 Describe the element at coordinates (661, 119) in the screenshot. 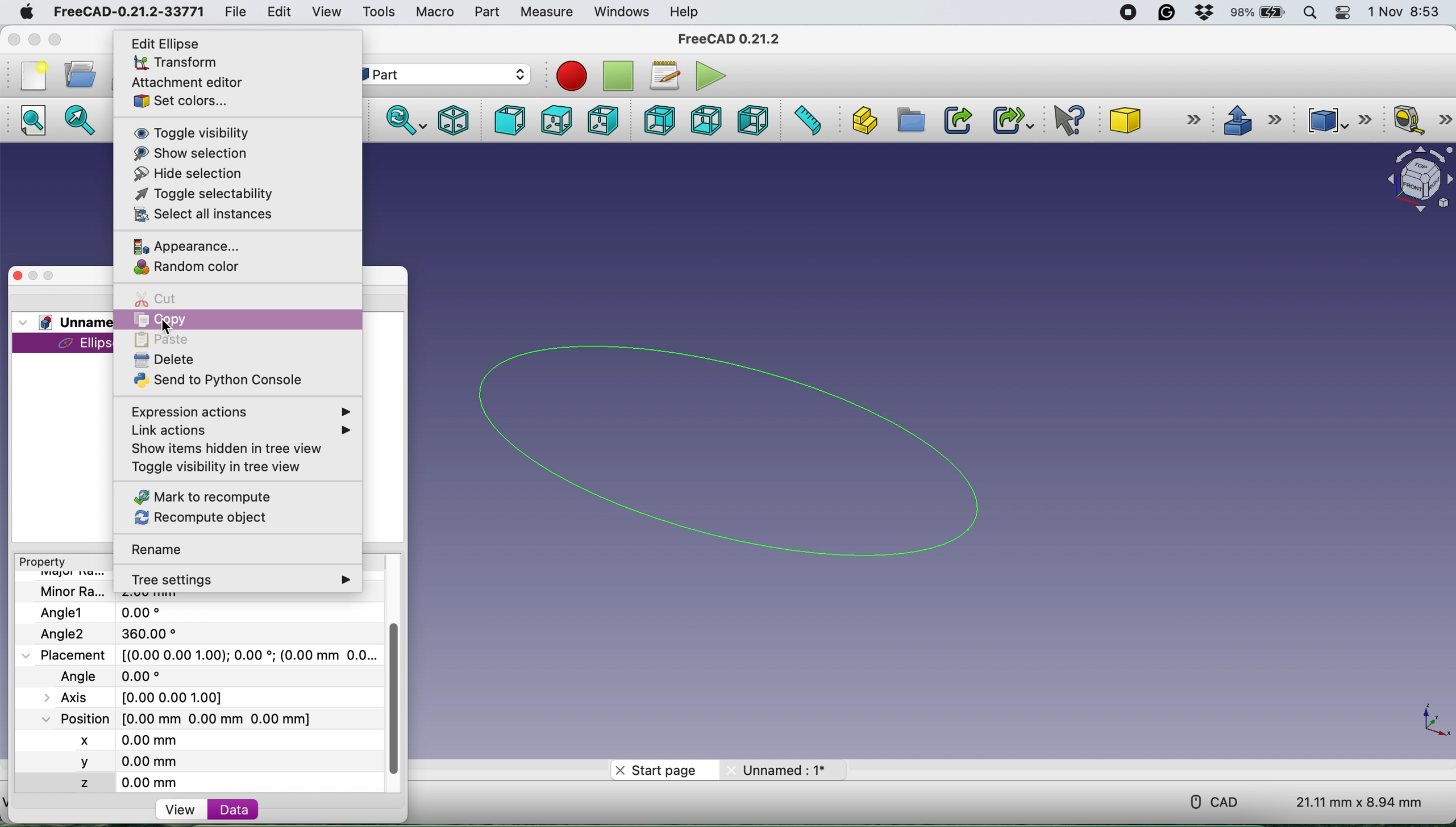

I see `rear` at that location.